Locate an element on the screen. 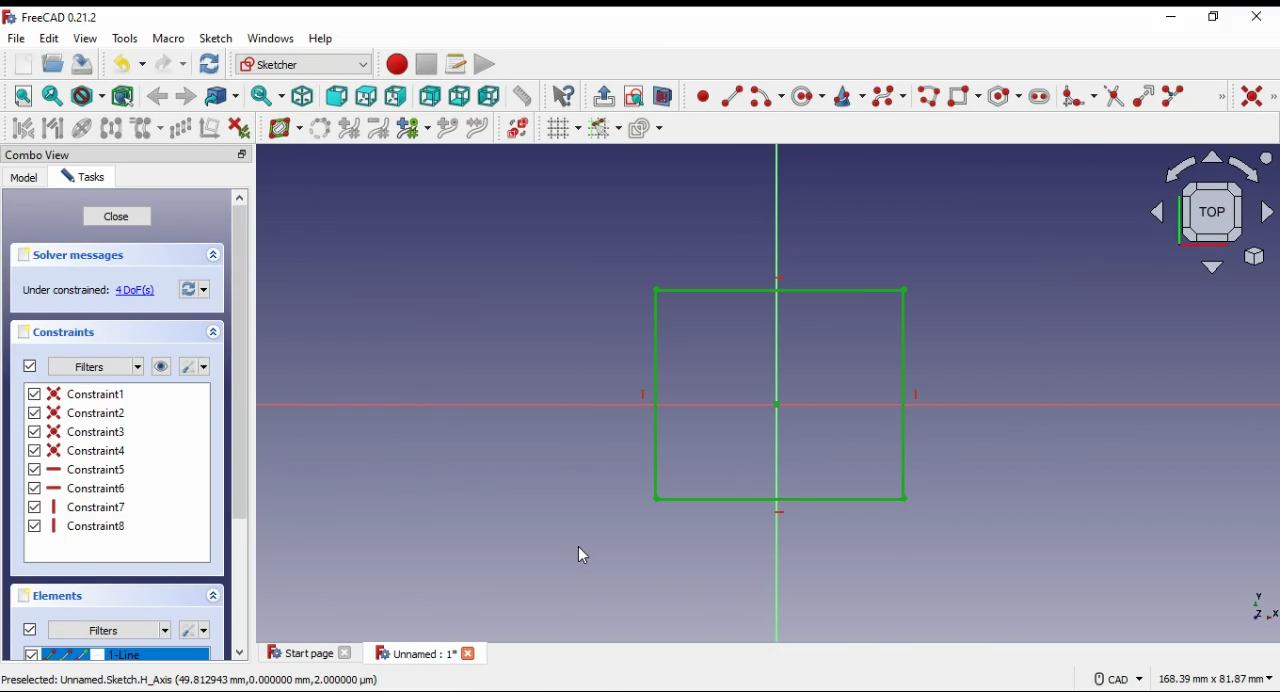  isometric is located at coordinates (303, 96).